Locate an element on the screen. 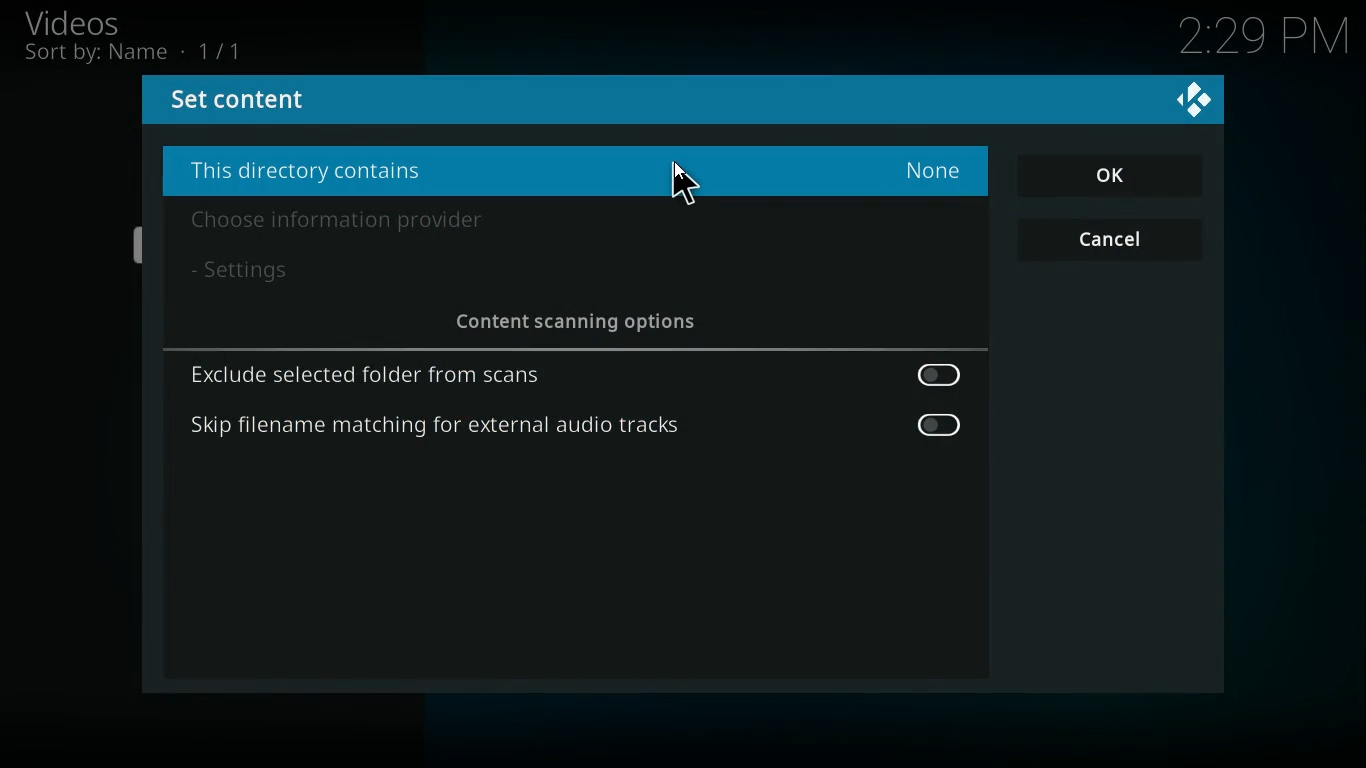  choose information provider is located at coordinates (352, 219).